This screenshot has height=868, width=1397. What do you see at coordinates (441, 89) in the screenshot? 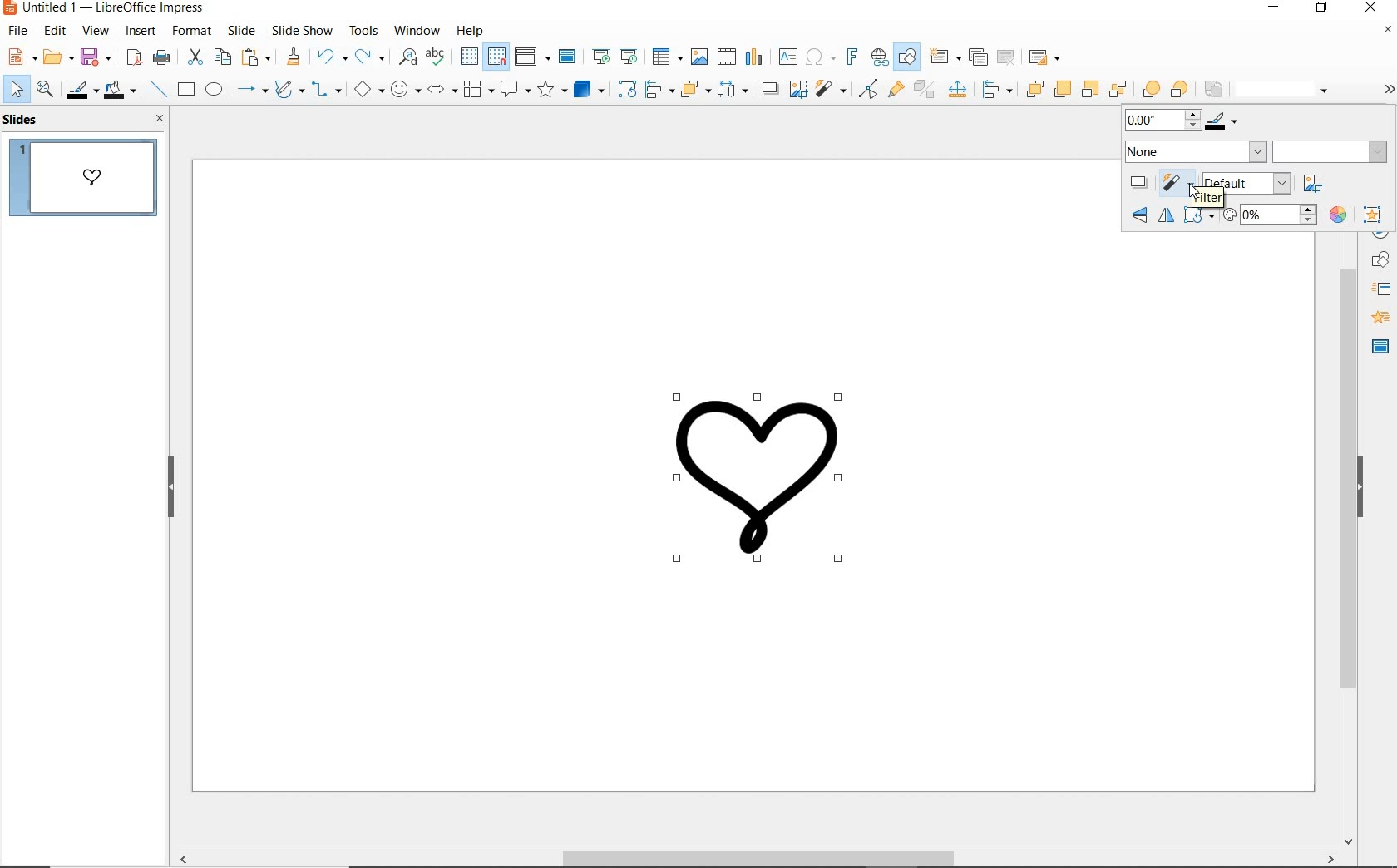
I see `block arrows` at bounding box center [441, 89].